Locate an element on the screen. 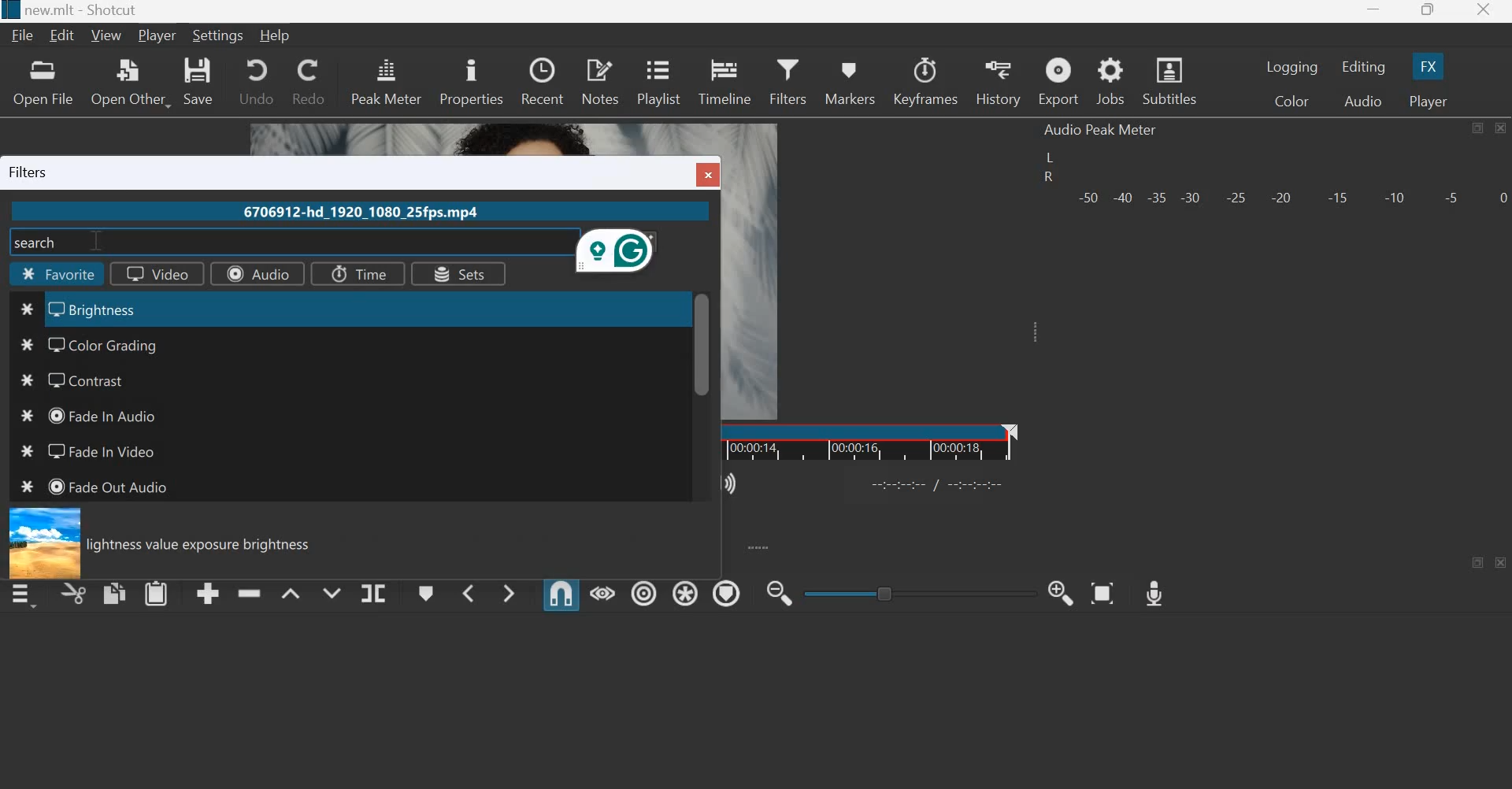 Image resolution: width=1512 pixels, height=789 pixels. Audio is located at coordinates (1363, 102).